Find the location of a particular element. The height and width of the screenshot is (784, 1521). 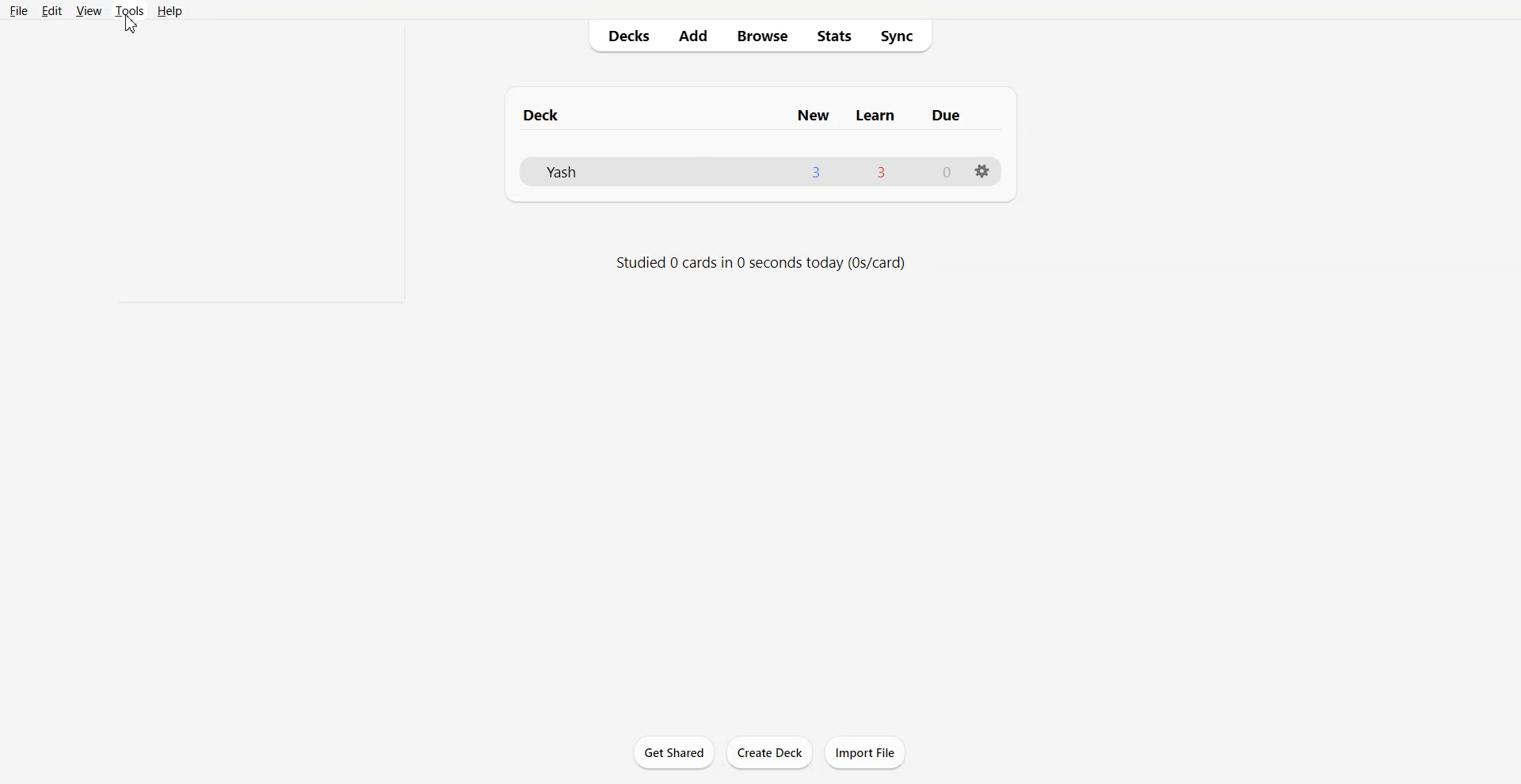

3 is located at coordinates (816, 171).